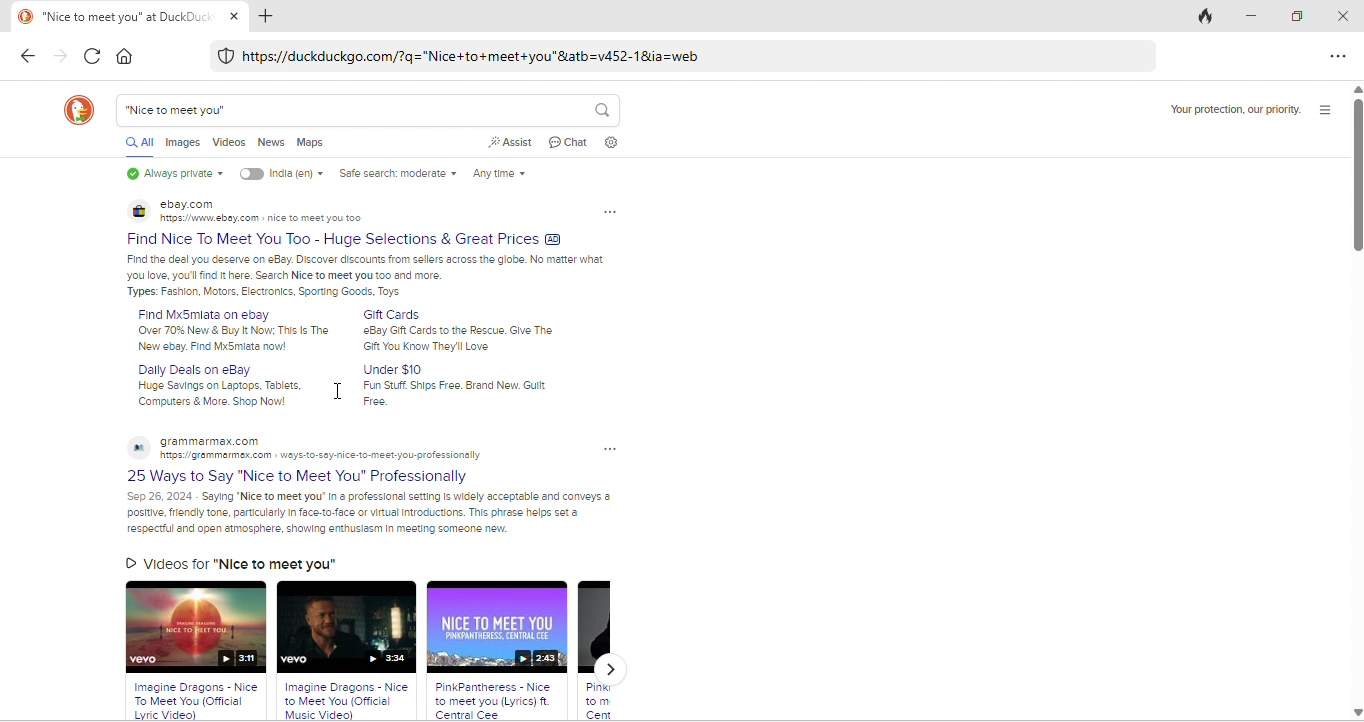  I want to click on text, so click(395, 313).